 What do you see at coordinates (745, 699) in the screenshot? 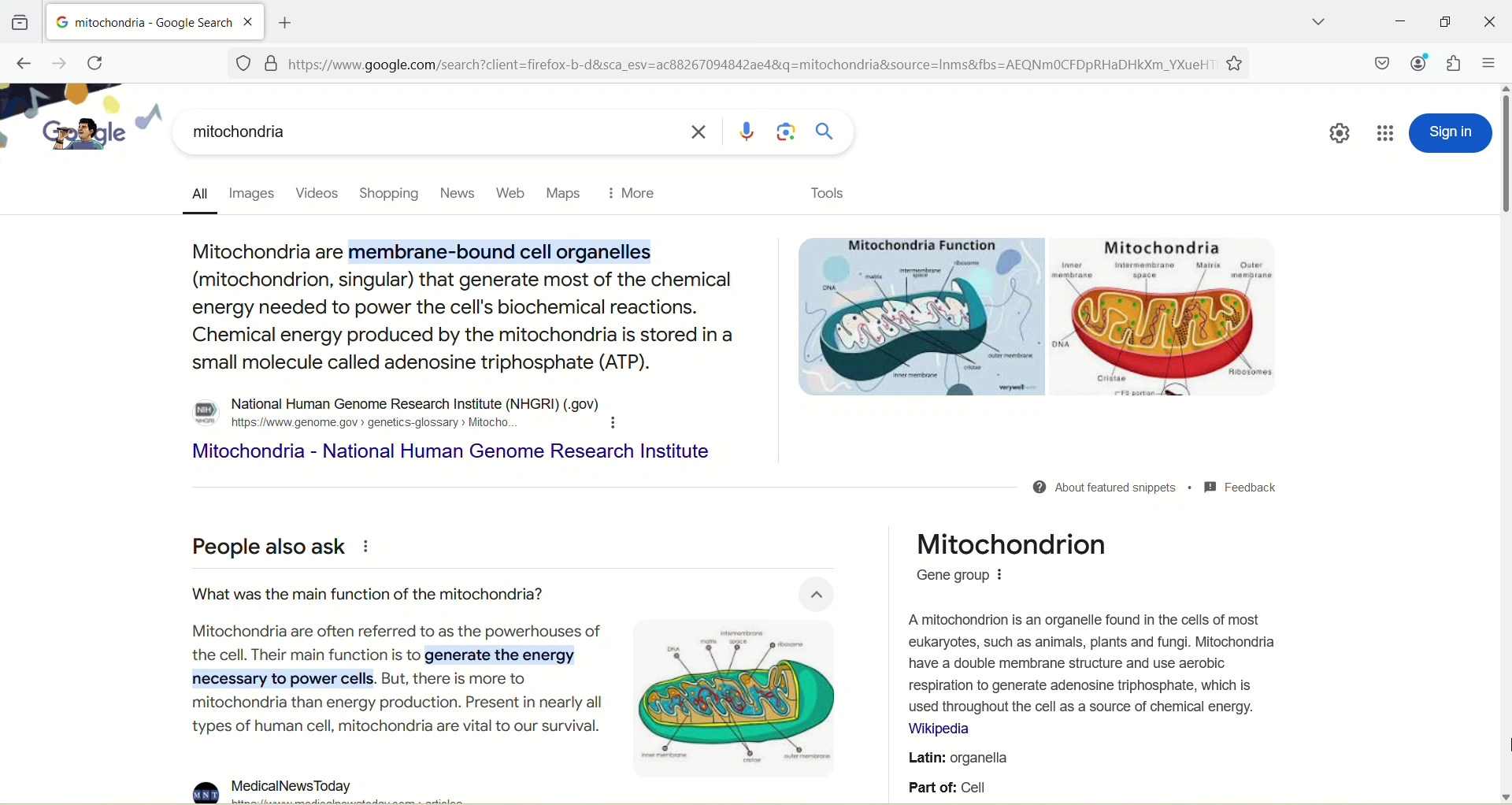
I see `mitochondria image` at bounding box center [745, 699].